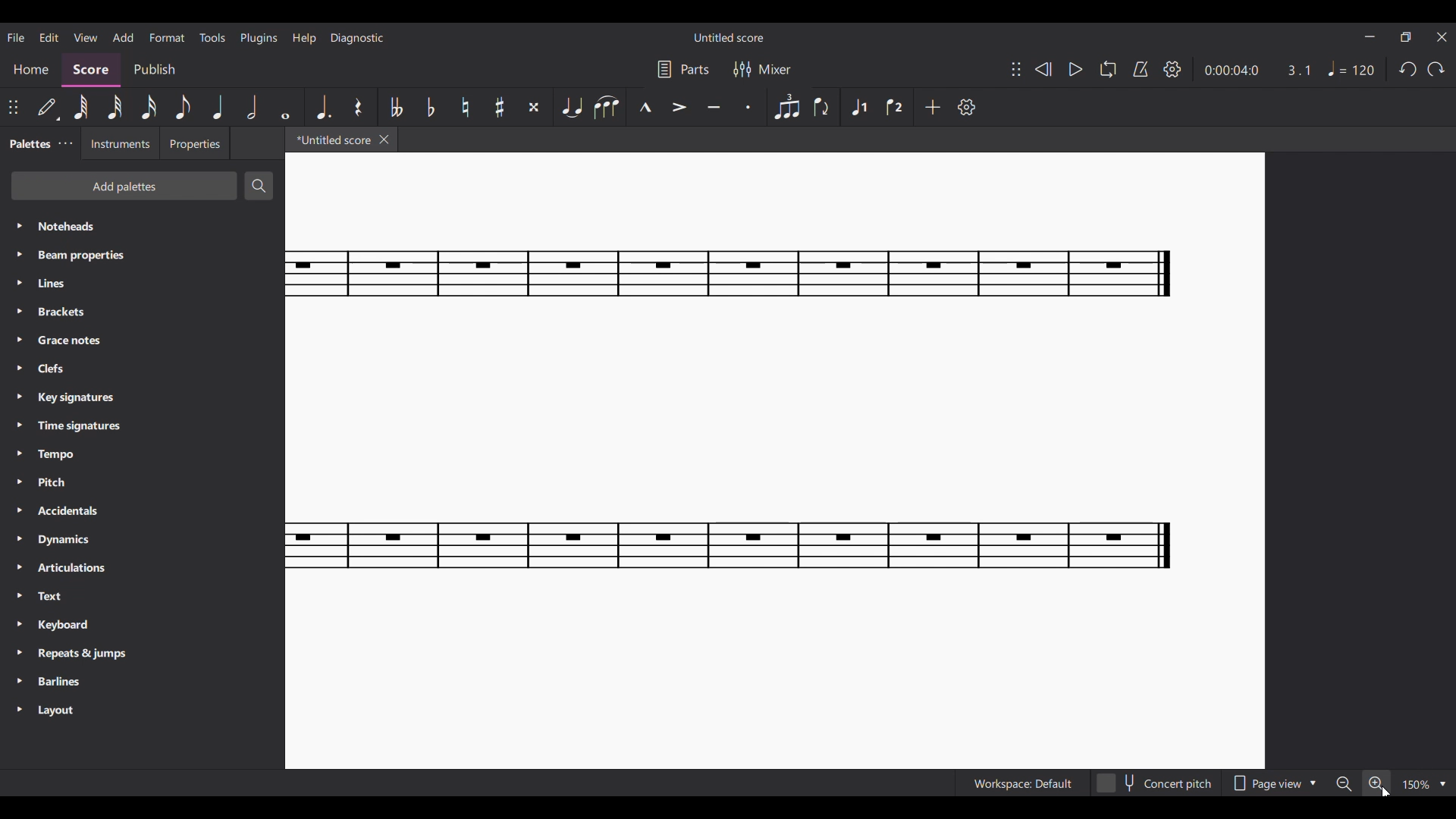 This screenshot has height=819, width=1456. I want to click on Parts settings, so click(683, 70).